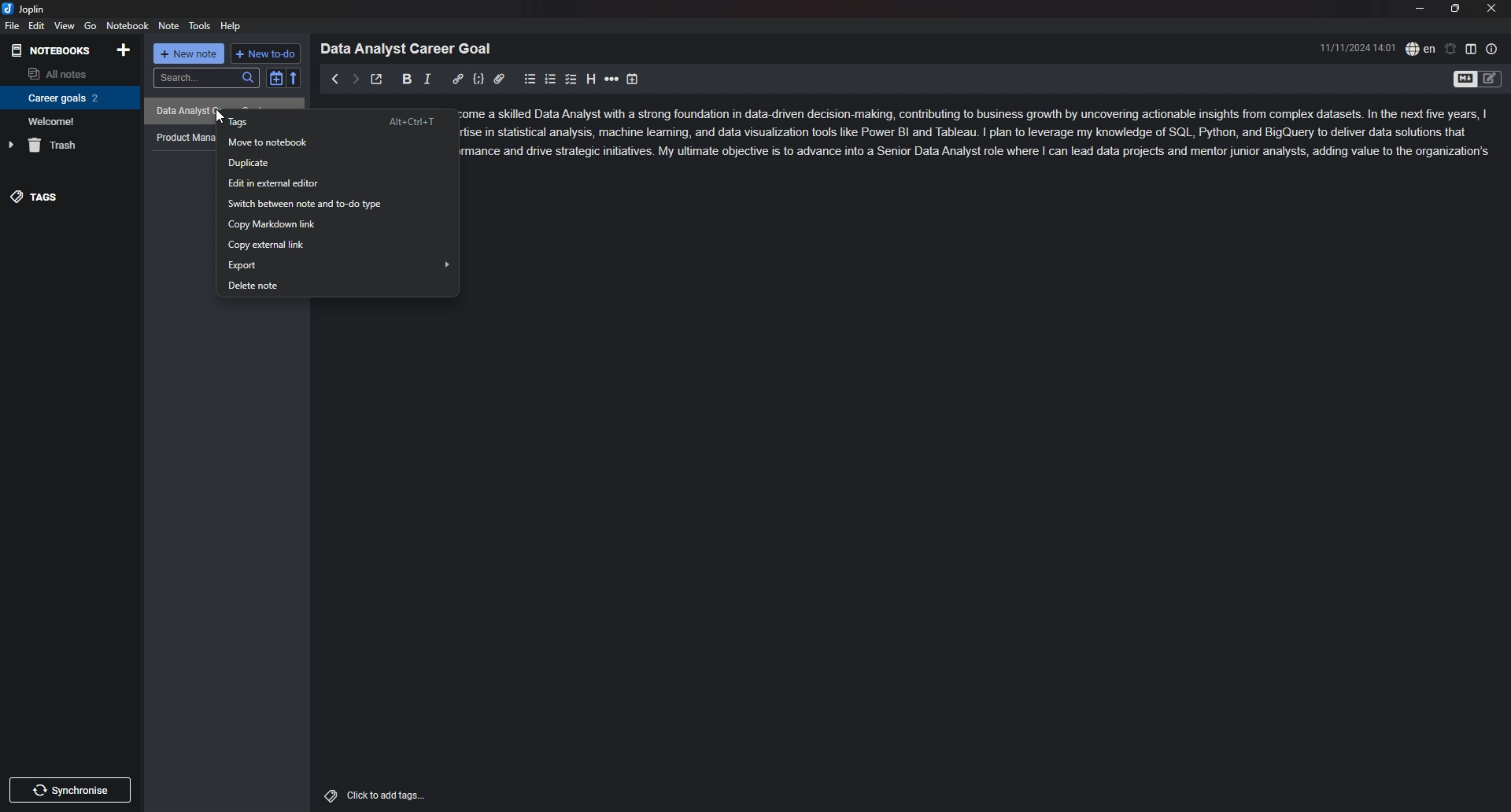 Image resolution: width=1511 pixels, height=812 pixels. What do you see at coordinates (13, 25) in the screenshot?
I see `file` at bounding box center [13, 25].